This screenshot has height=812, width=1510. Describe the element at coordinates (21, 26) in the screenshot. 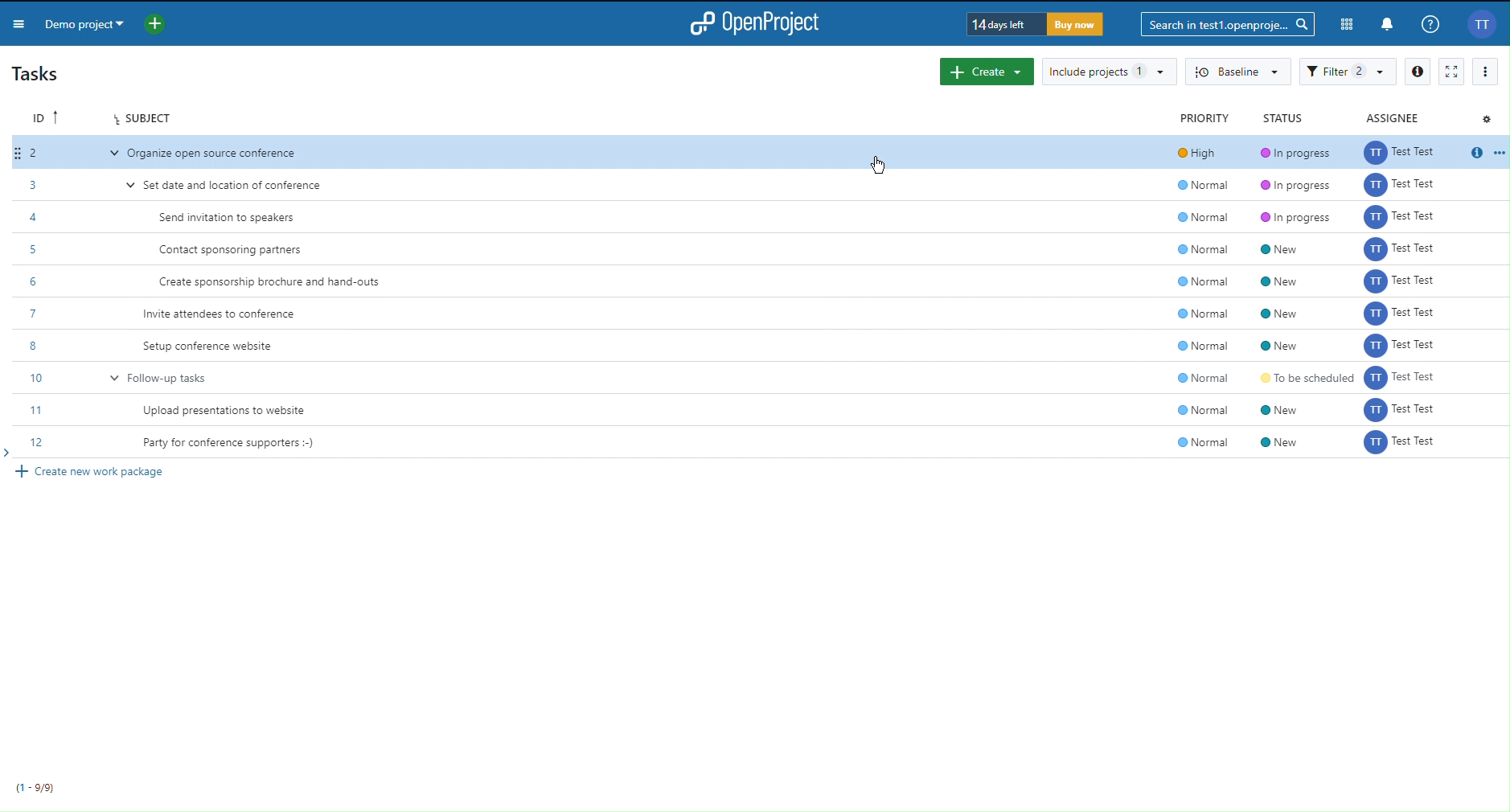

I see `Menu` at that location.